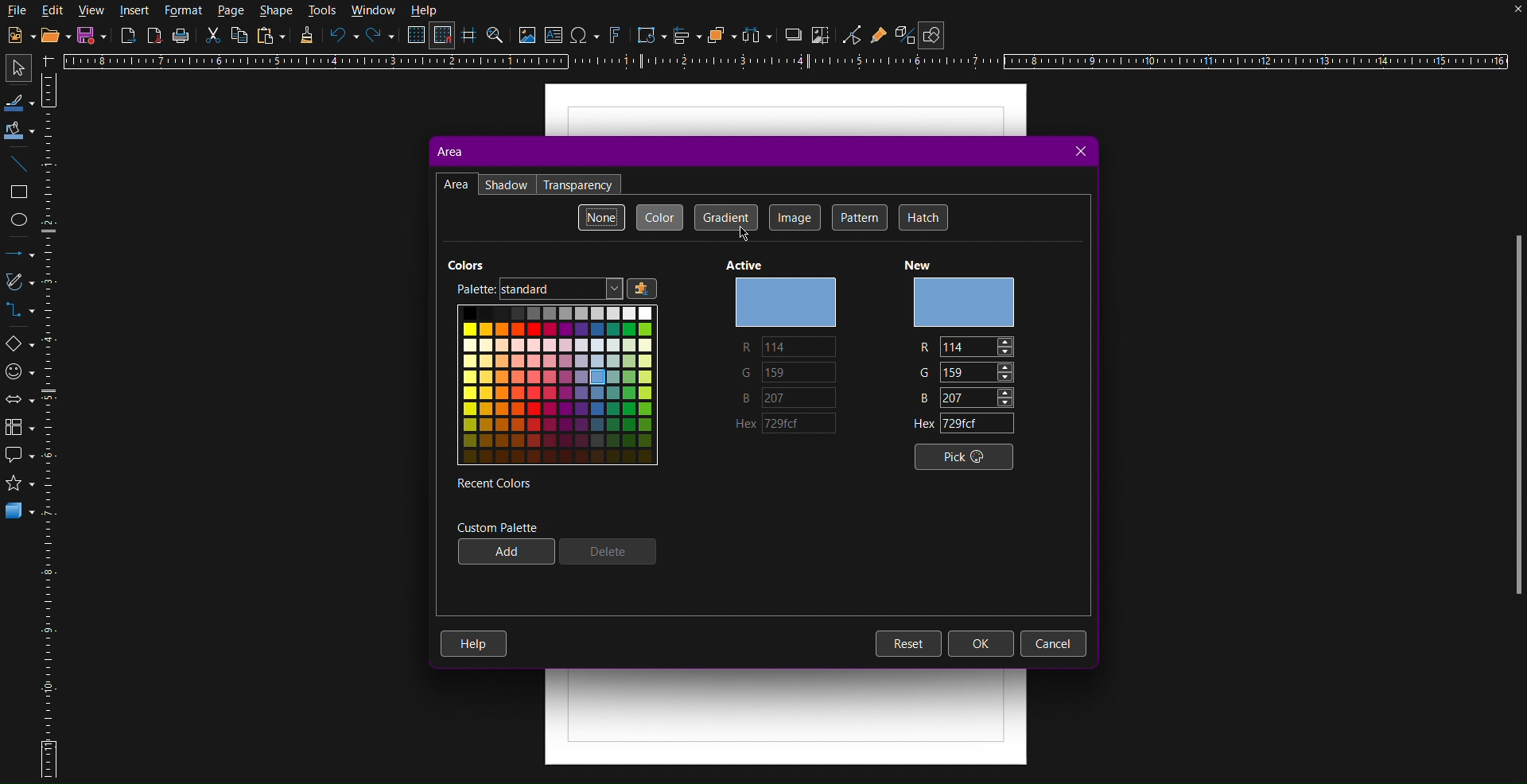 Image resolution: width=1527 pixels, height=784 pixels. I want to click on Pattern, so click(859, 216).